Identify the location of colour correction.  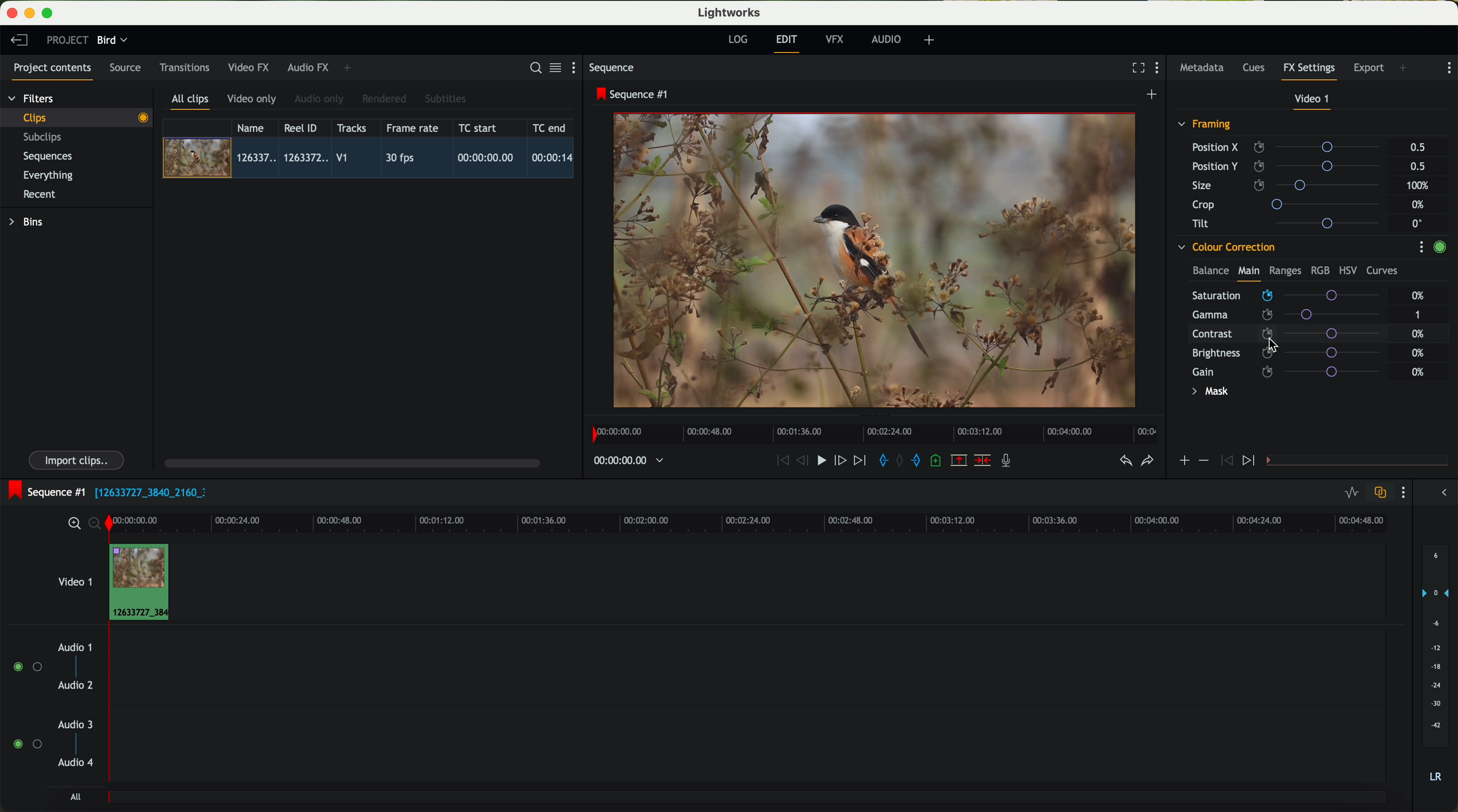
(1225, 247).